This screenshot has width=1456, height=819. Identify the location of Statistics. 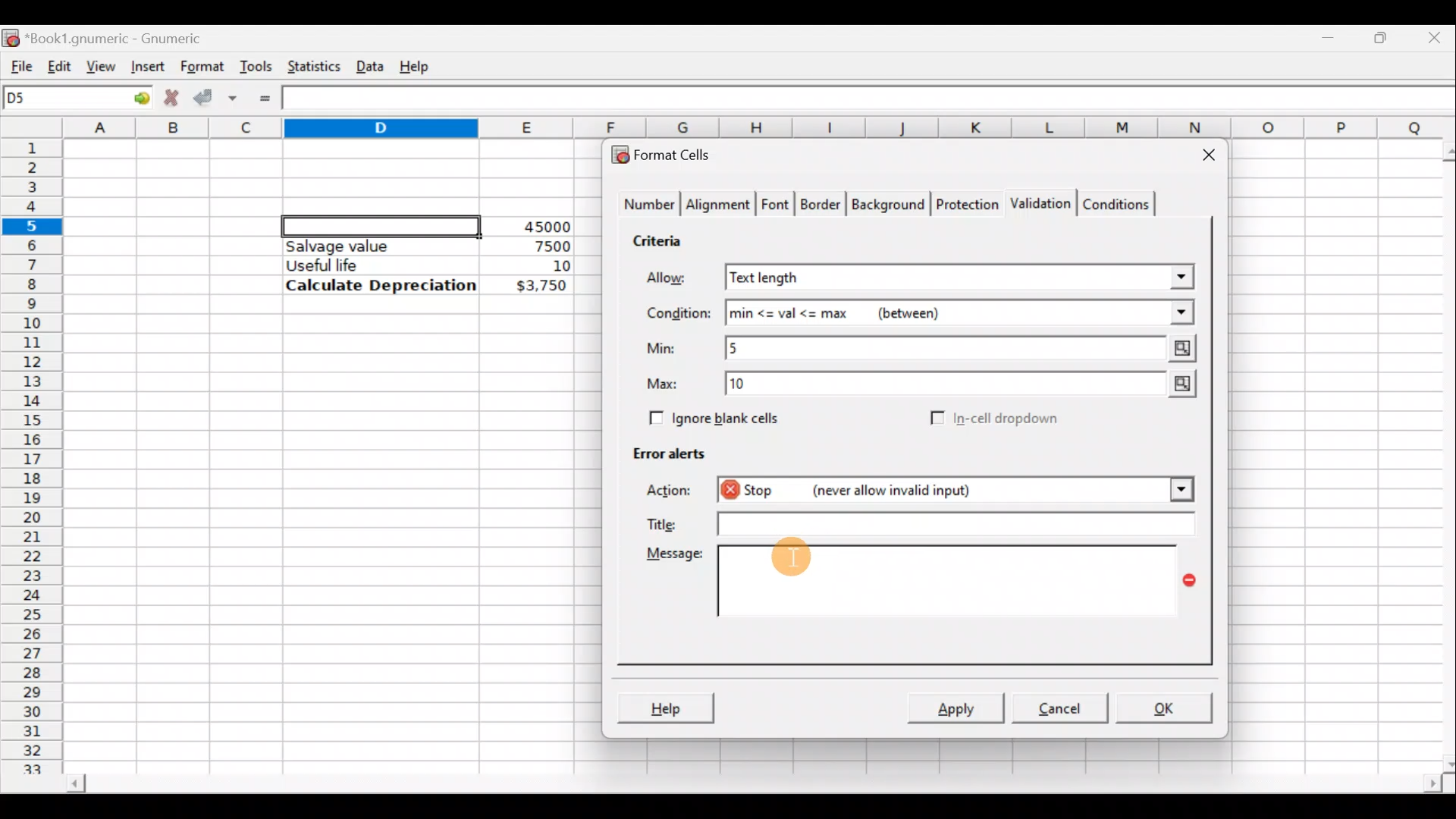
(310, 65).